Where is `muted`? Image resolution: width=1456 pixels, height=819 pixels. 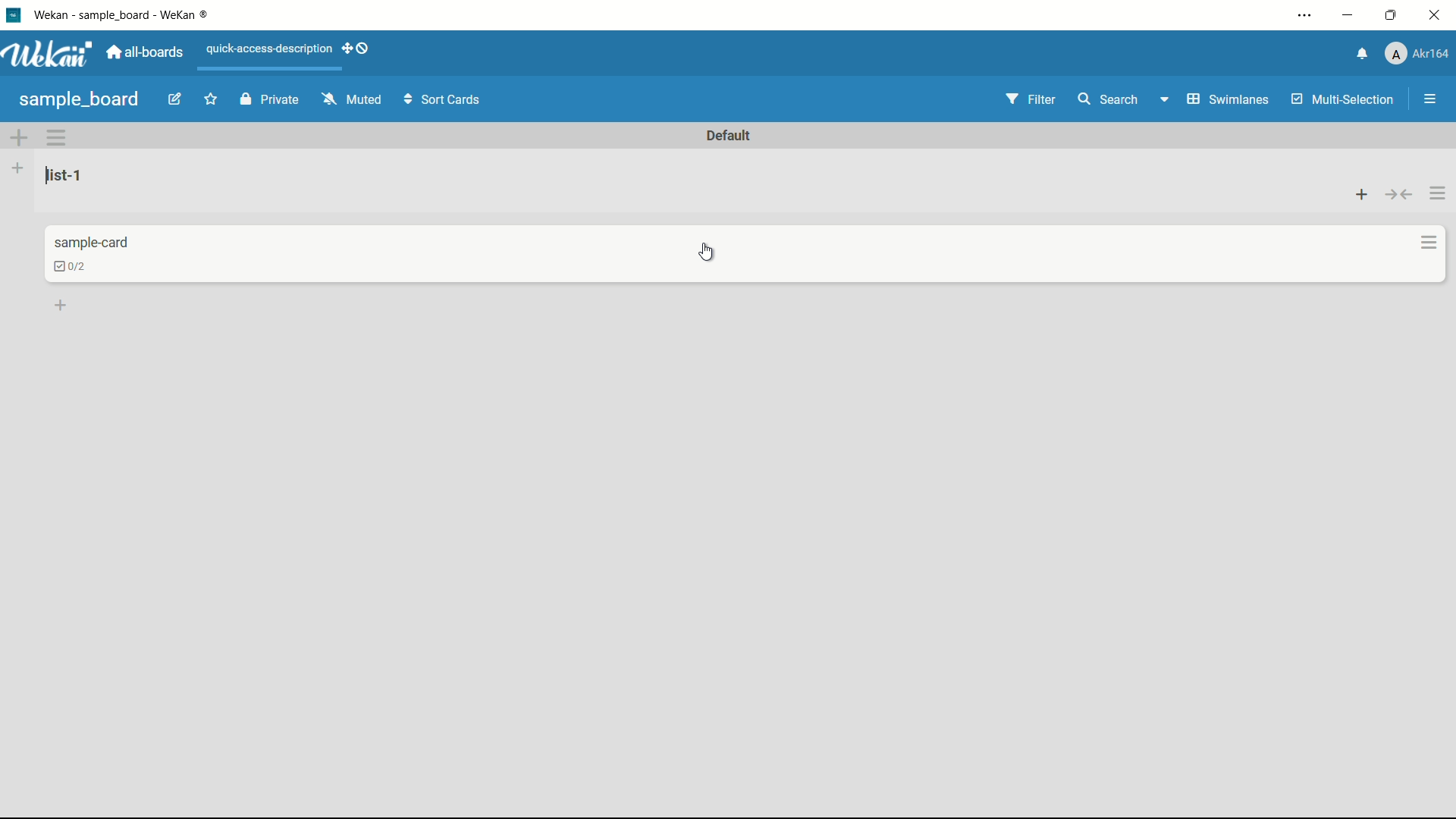
muted is located at coordinates (350, 100).